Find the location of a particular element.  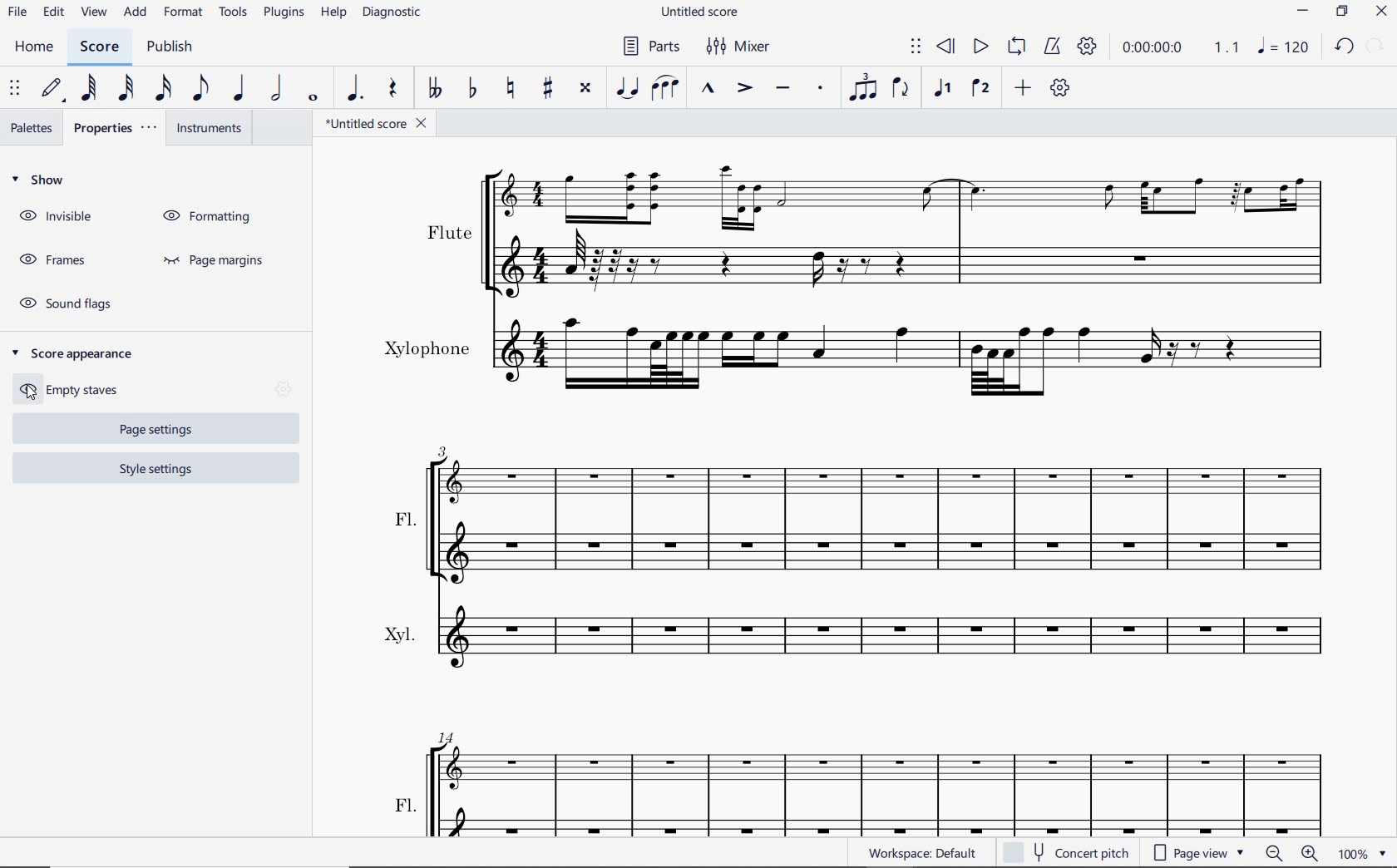

TOOLS is located at coordinates (230, 17).